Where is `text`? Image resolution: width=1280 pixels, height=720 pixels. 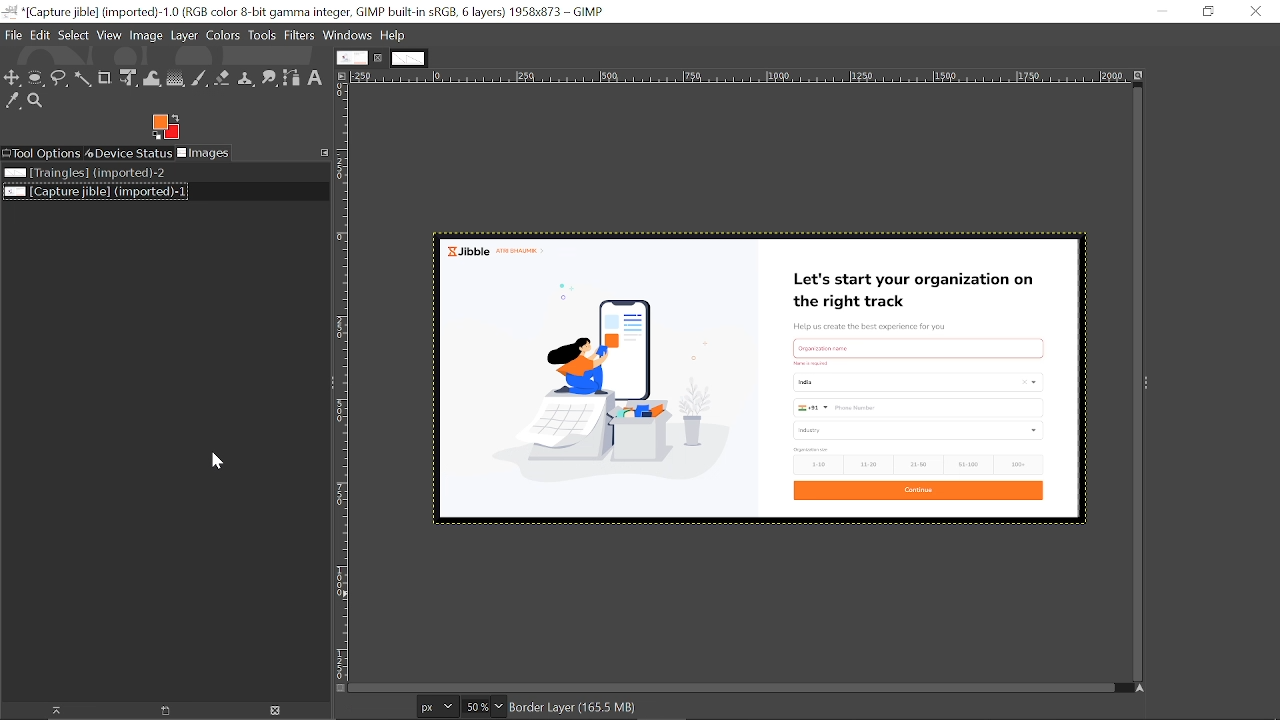 text is located at coordinates (813, 363).